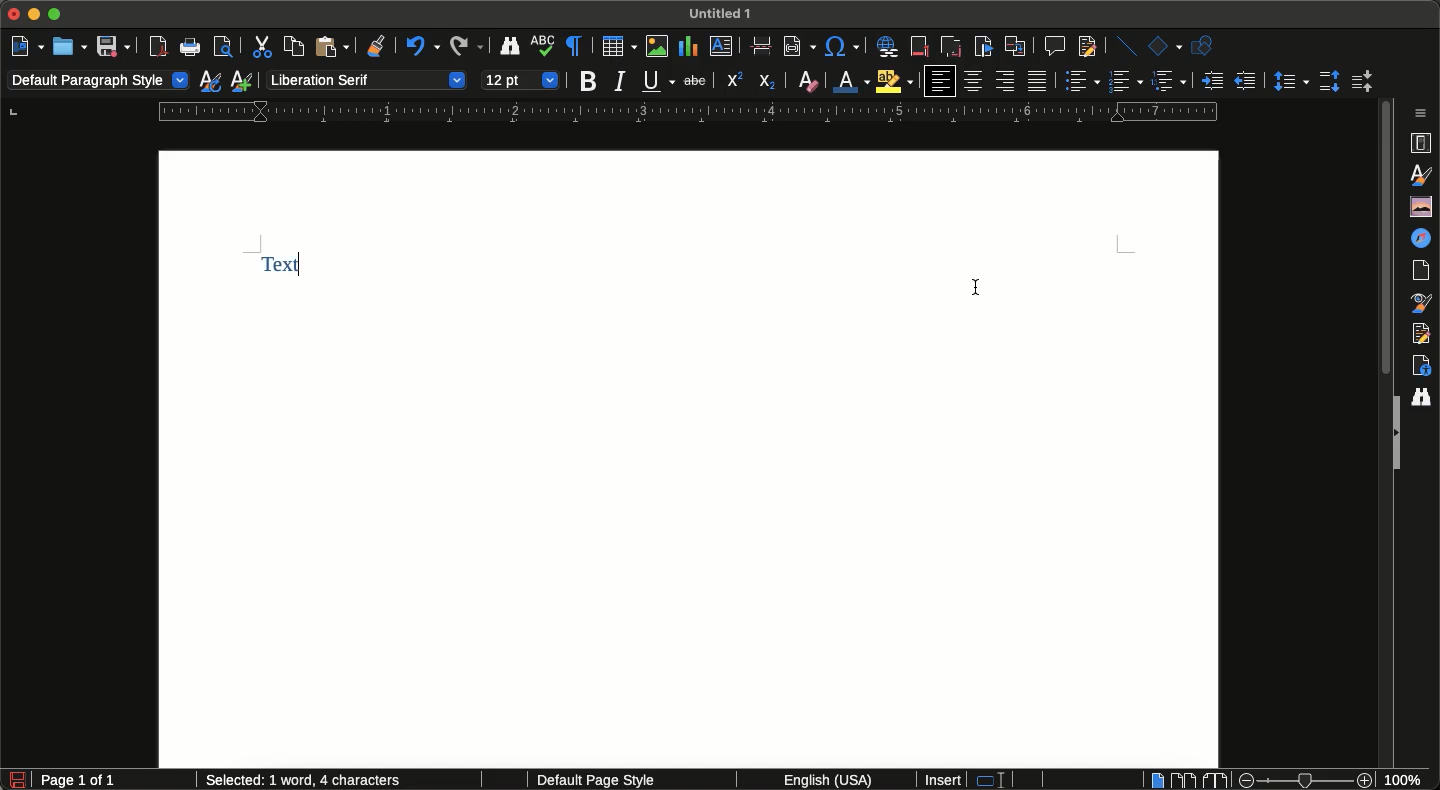  I want to click on Save, so click(113, 46).